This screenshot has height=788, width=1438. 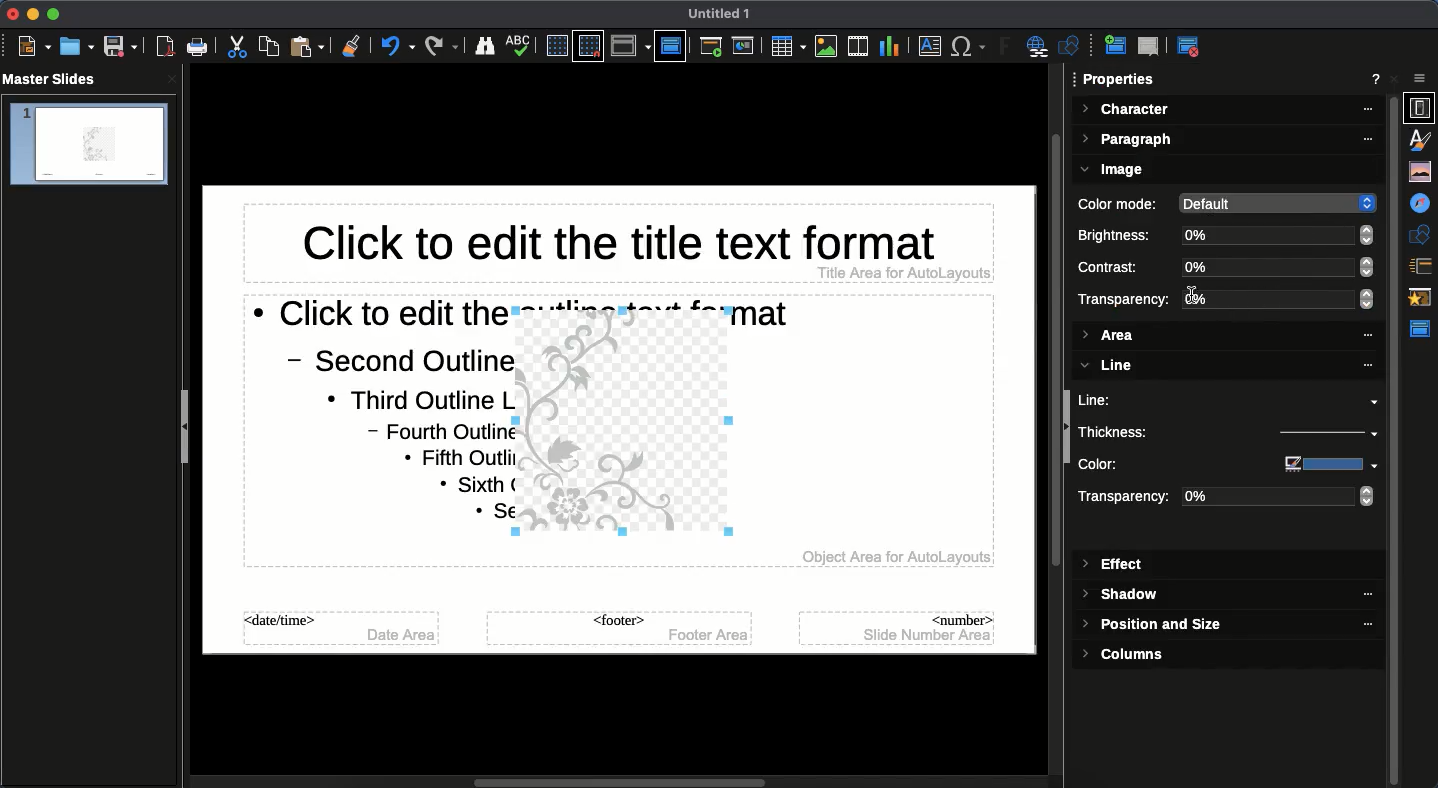 I want to click on Animation, so click(x=1422, y=299).